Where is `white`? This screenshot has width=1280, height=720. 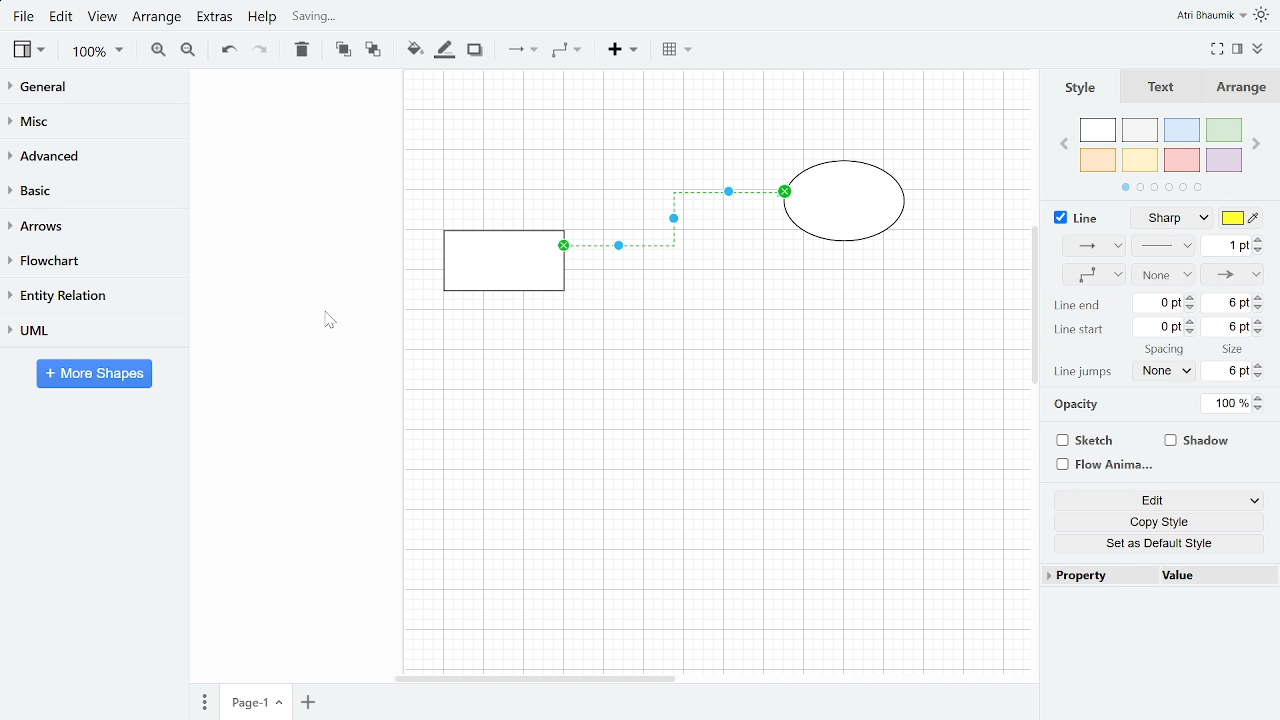 white is located at coordinates (1098, 131).